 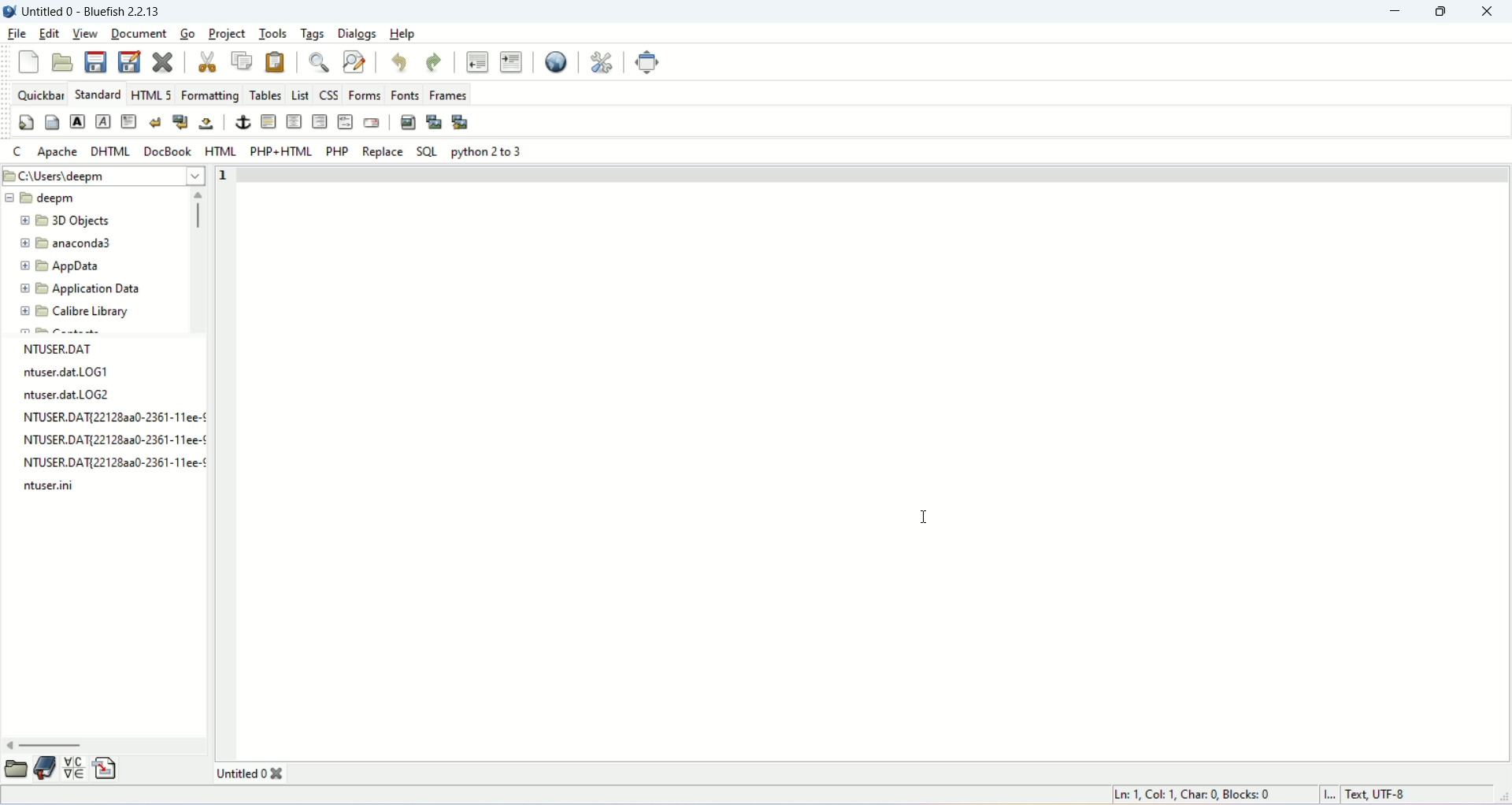 What do you see at coordinates (649, 64) in the screenshot?
I see `fullscreen` at bounding box center [649, 64].